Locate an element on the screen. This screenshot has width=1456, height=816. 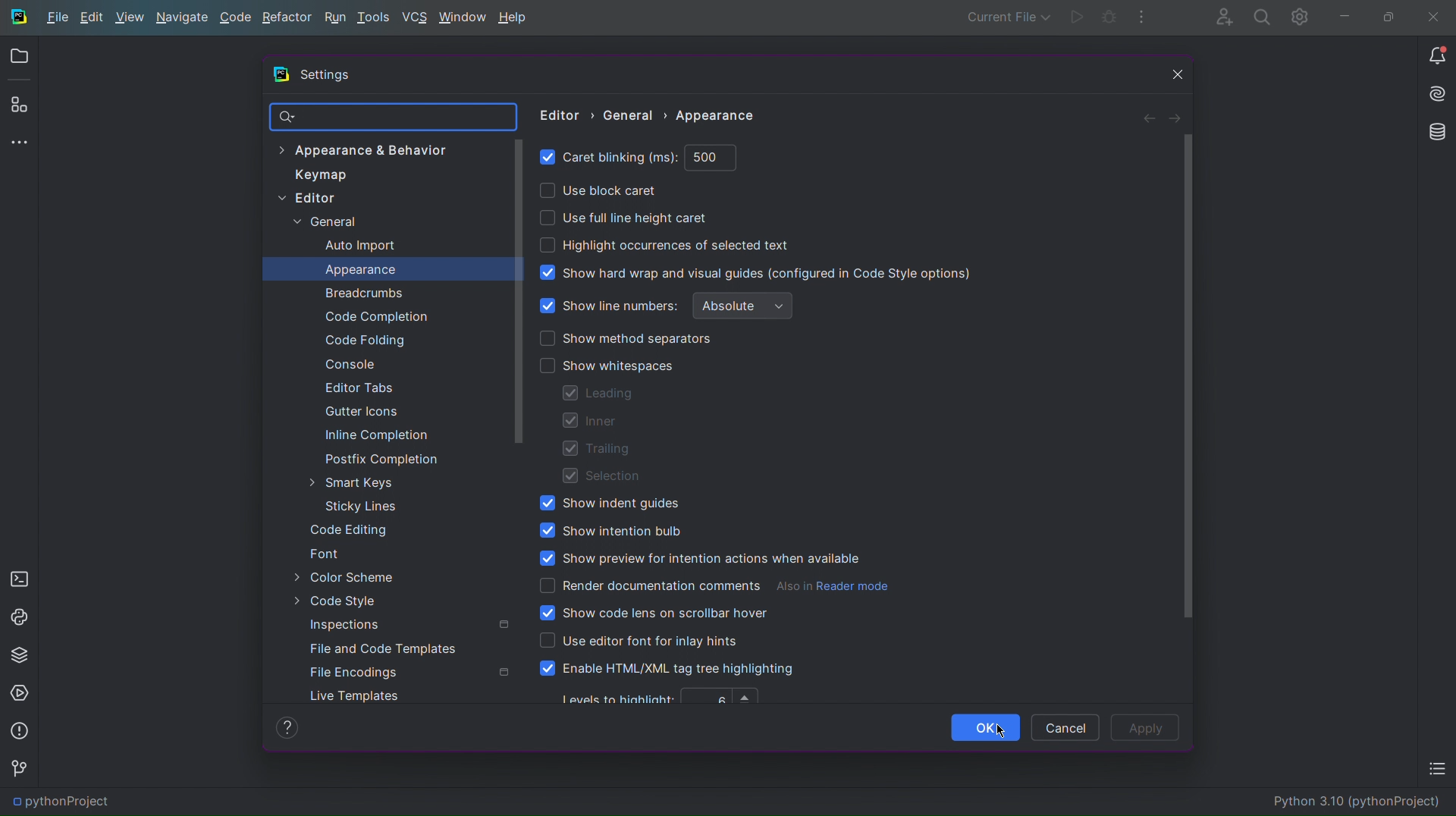
Editor Tabs is located at coordinates (356, 391).